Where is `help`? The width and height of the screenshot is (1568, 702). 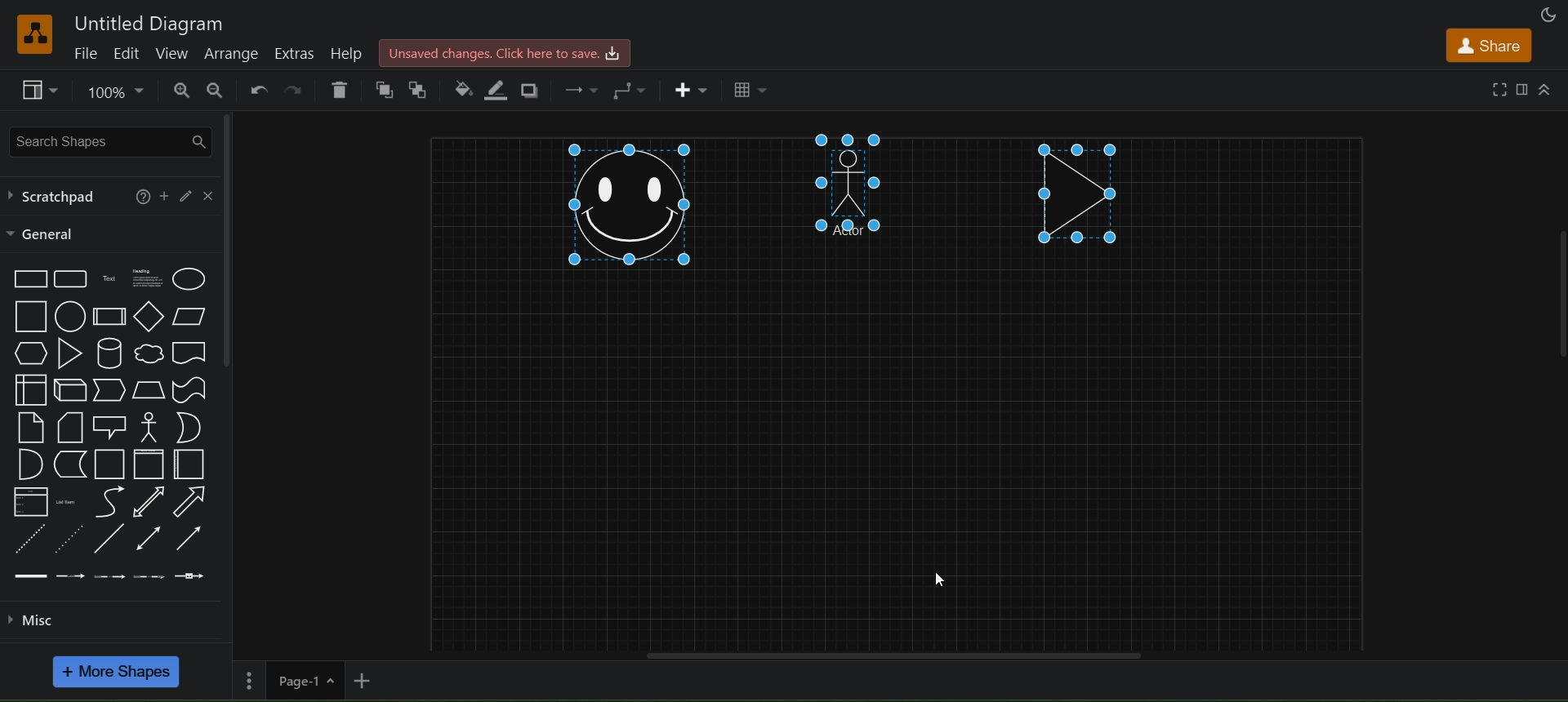
help is located at coordinates (140, 194).